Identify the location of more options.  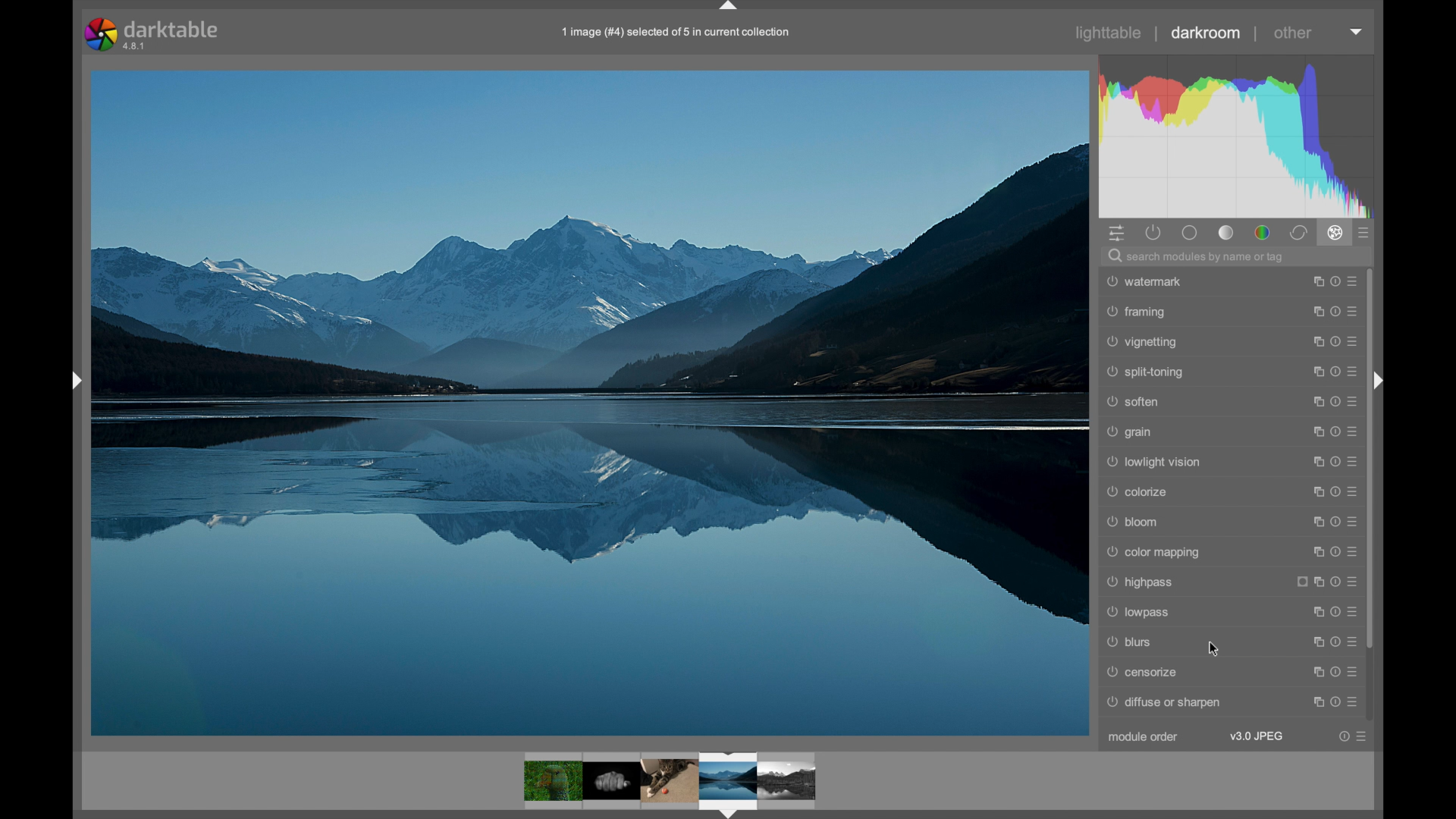
(1354, 282).